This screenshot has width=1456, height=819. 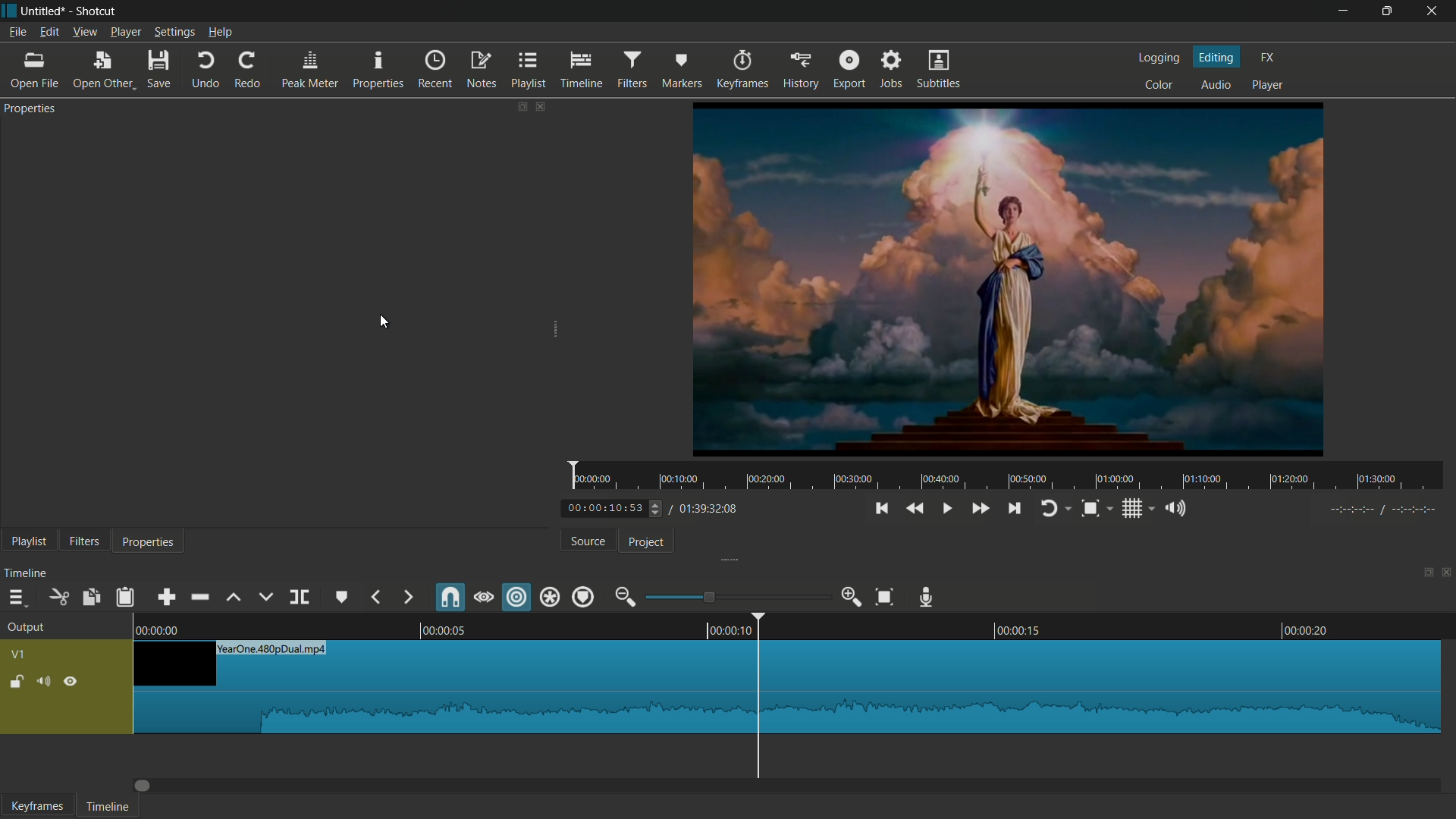 I want to click on file menu, so click(x=18, y=32).